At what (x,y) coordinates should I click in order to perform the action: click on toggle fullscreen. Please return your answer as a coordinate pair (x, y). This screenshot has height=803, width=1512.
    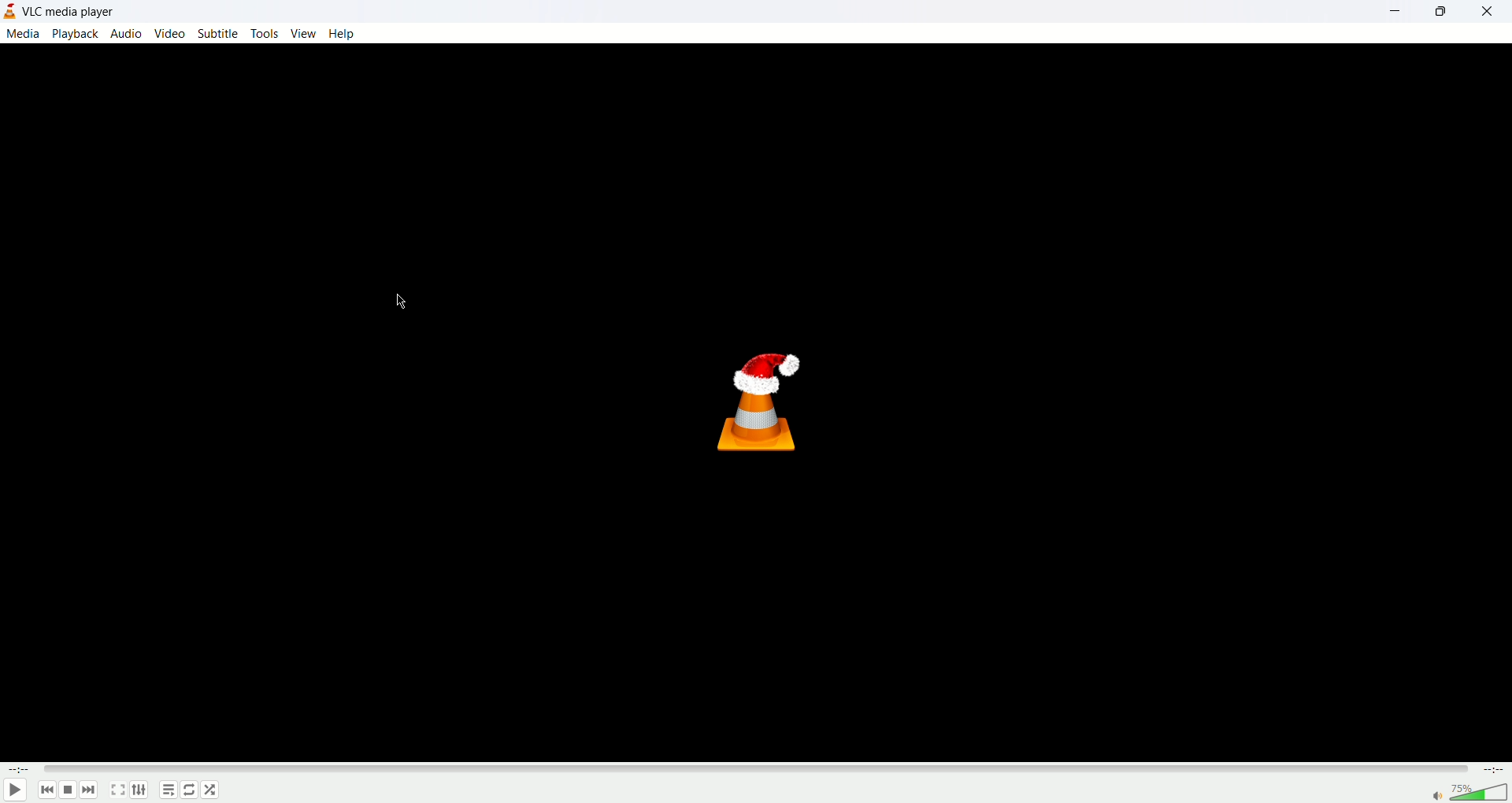
    Looking at the image, I should click on (117, 791).